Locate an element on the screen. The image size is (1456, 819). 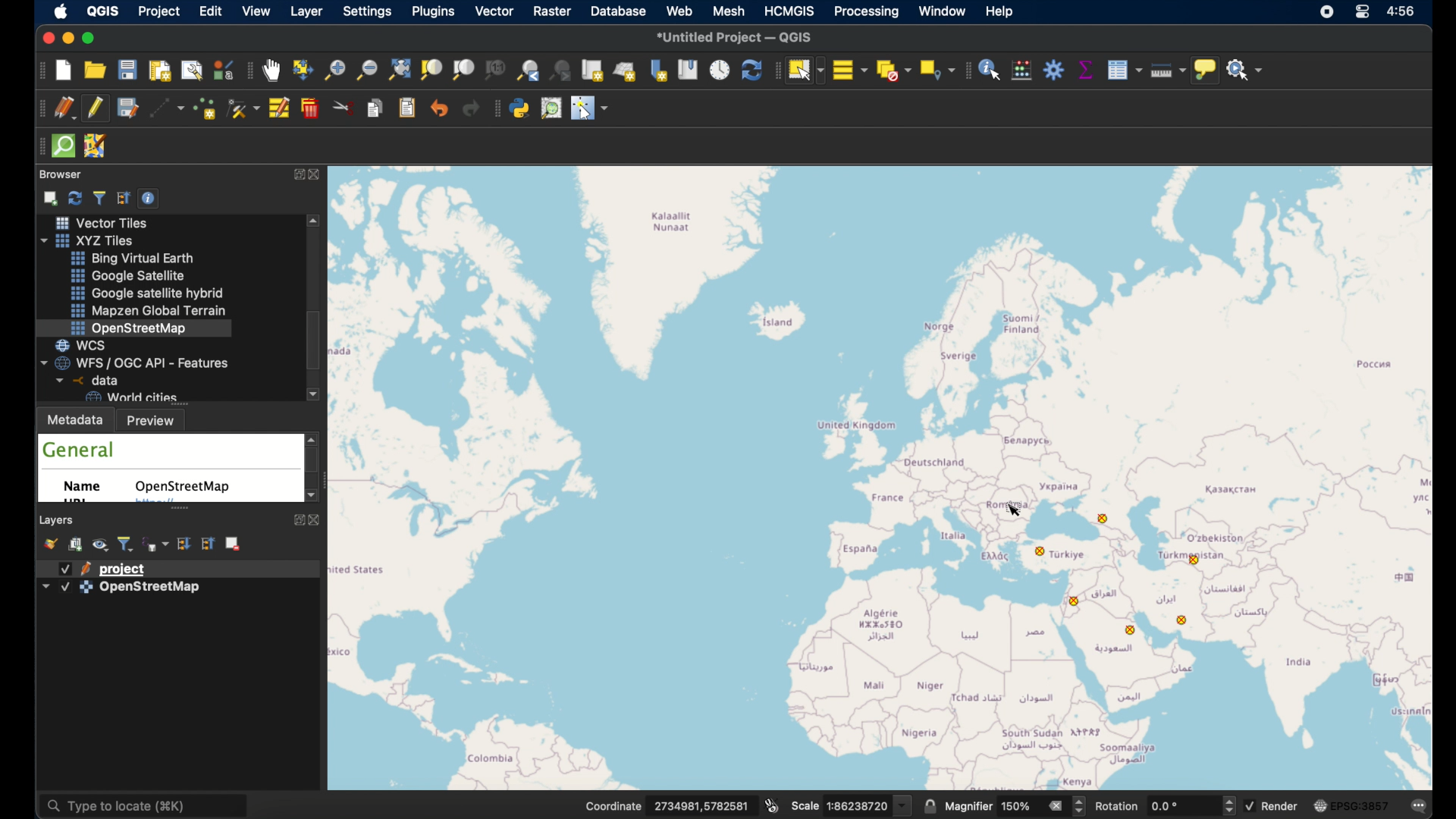
quick osm is located at coordinates (63, 146).